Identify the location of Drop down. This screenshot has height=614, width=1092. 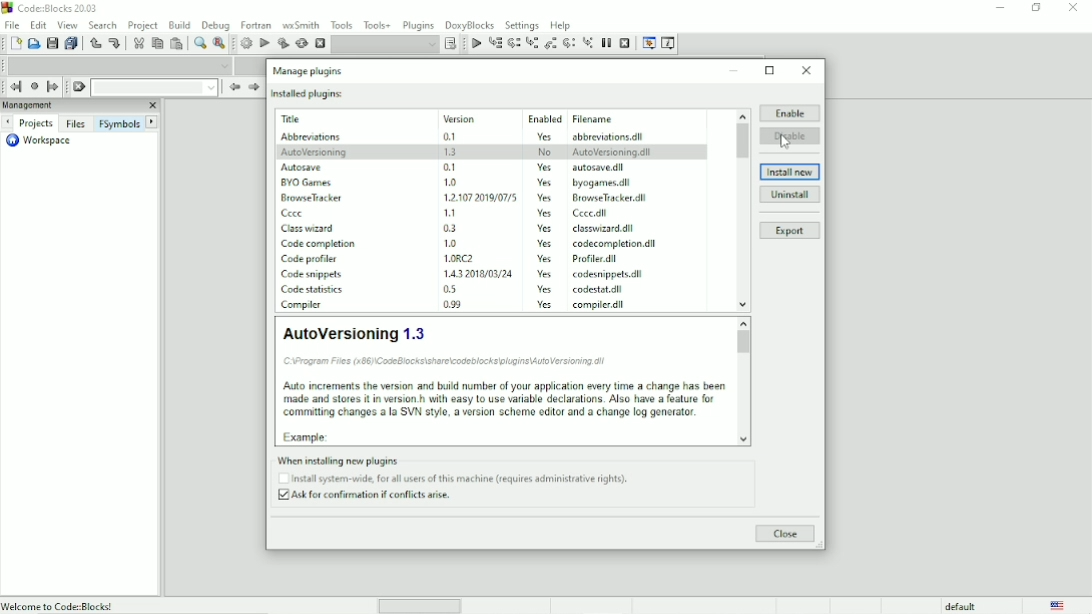
(154, 87).